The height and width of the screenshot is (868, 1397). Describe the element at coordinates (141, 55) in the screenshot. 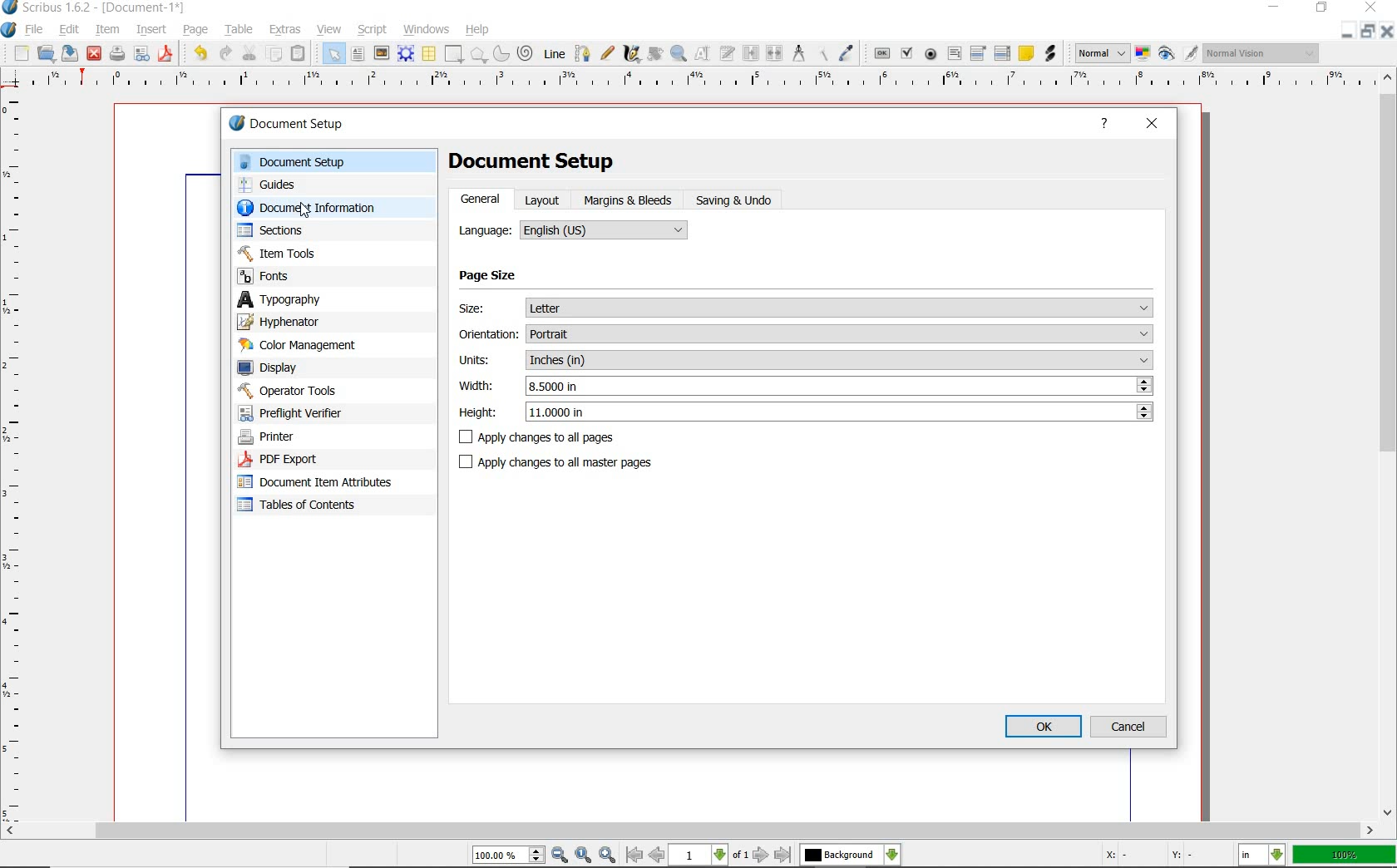

I see `preflight verifier` at that location.